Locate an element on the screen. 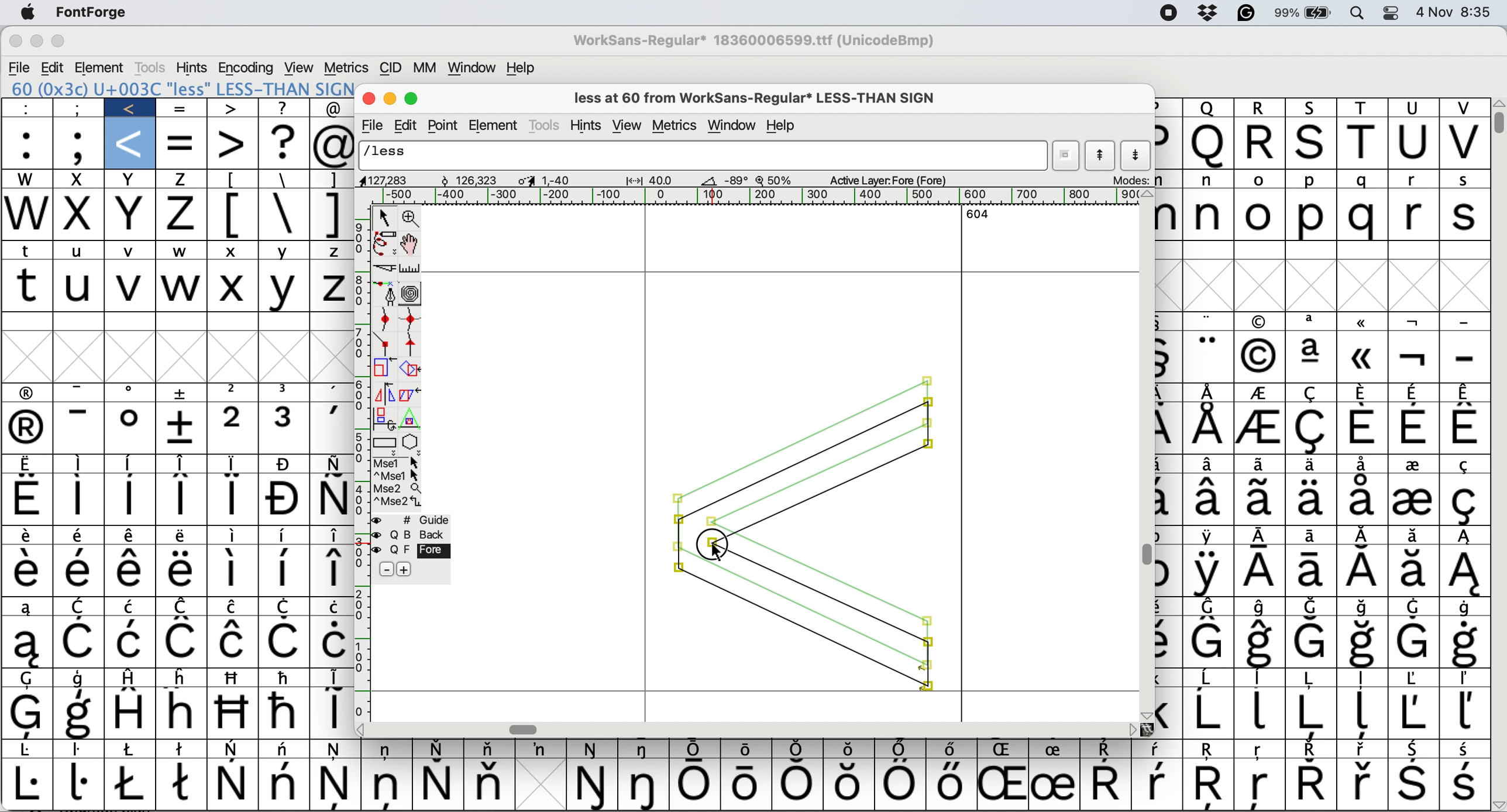 The width and height of the screenshot is (1507, 812). Symbol is located at coordinates (1209, 427).